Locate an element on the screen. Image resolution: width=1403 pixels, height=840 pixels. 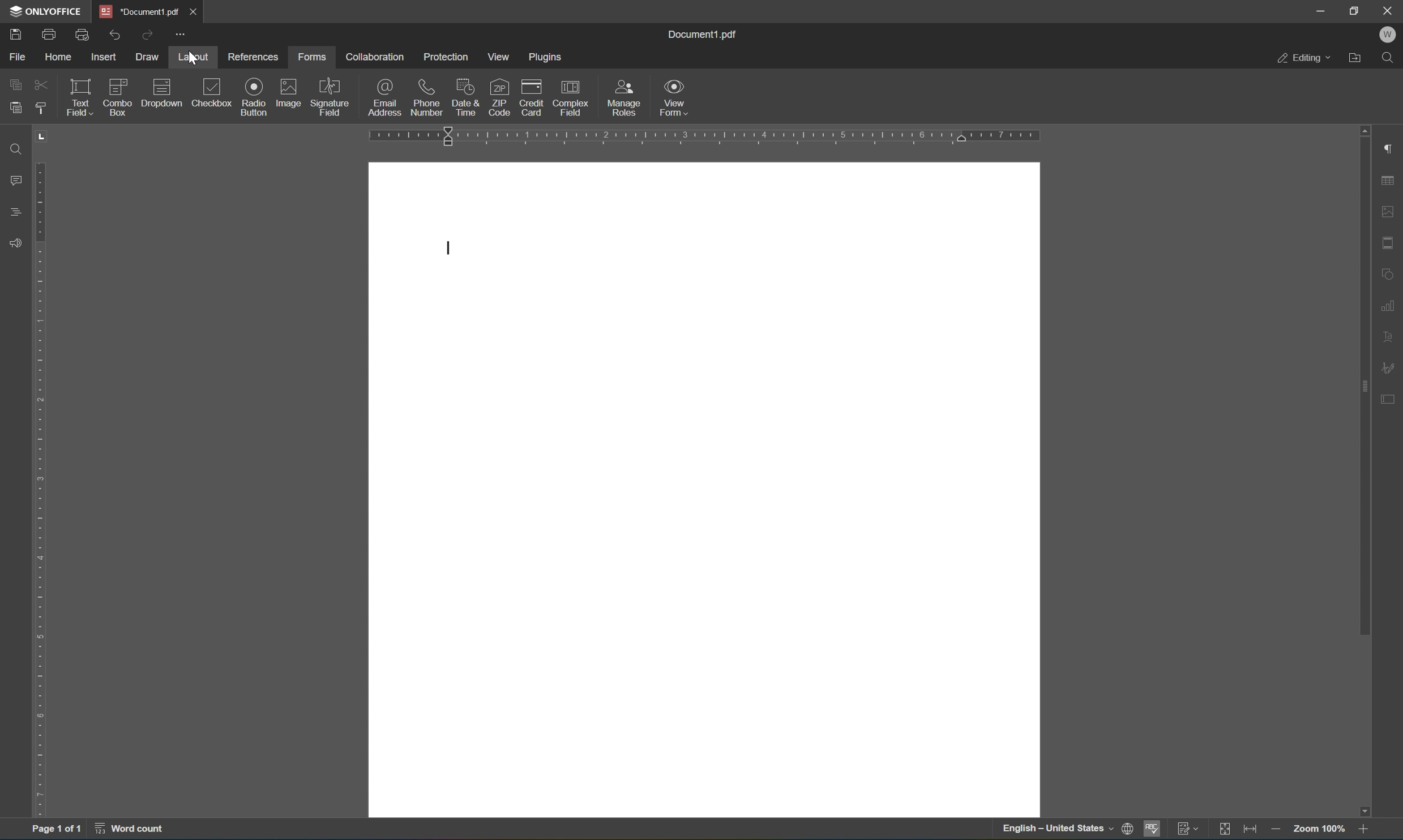
signature fixed is located at coordinates (330, 96).